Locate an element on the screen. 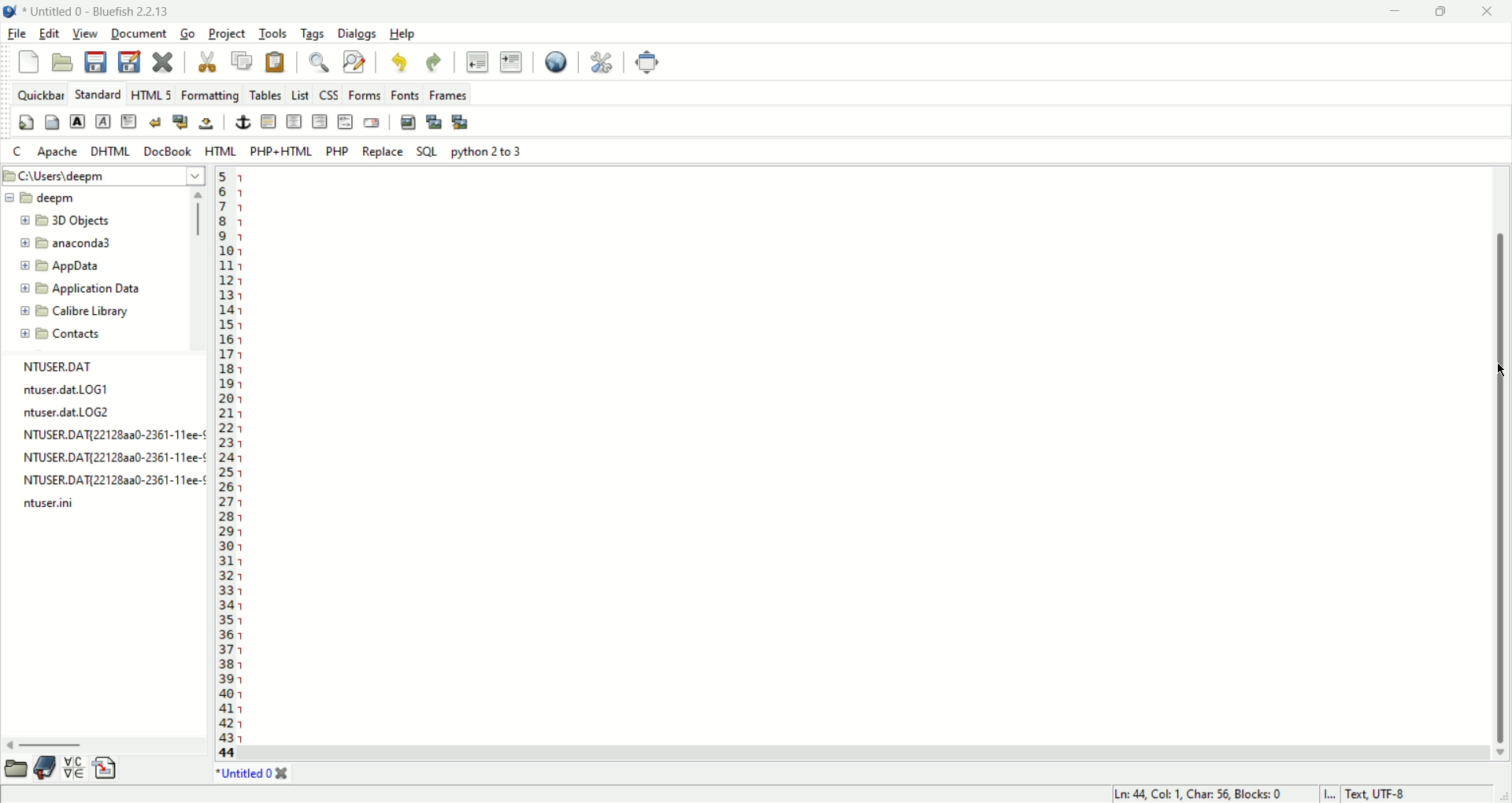  edit is located at coordinates (49, 33).